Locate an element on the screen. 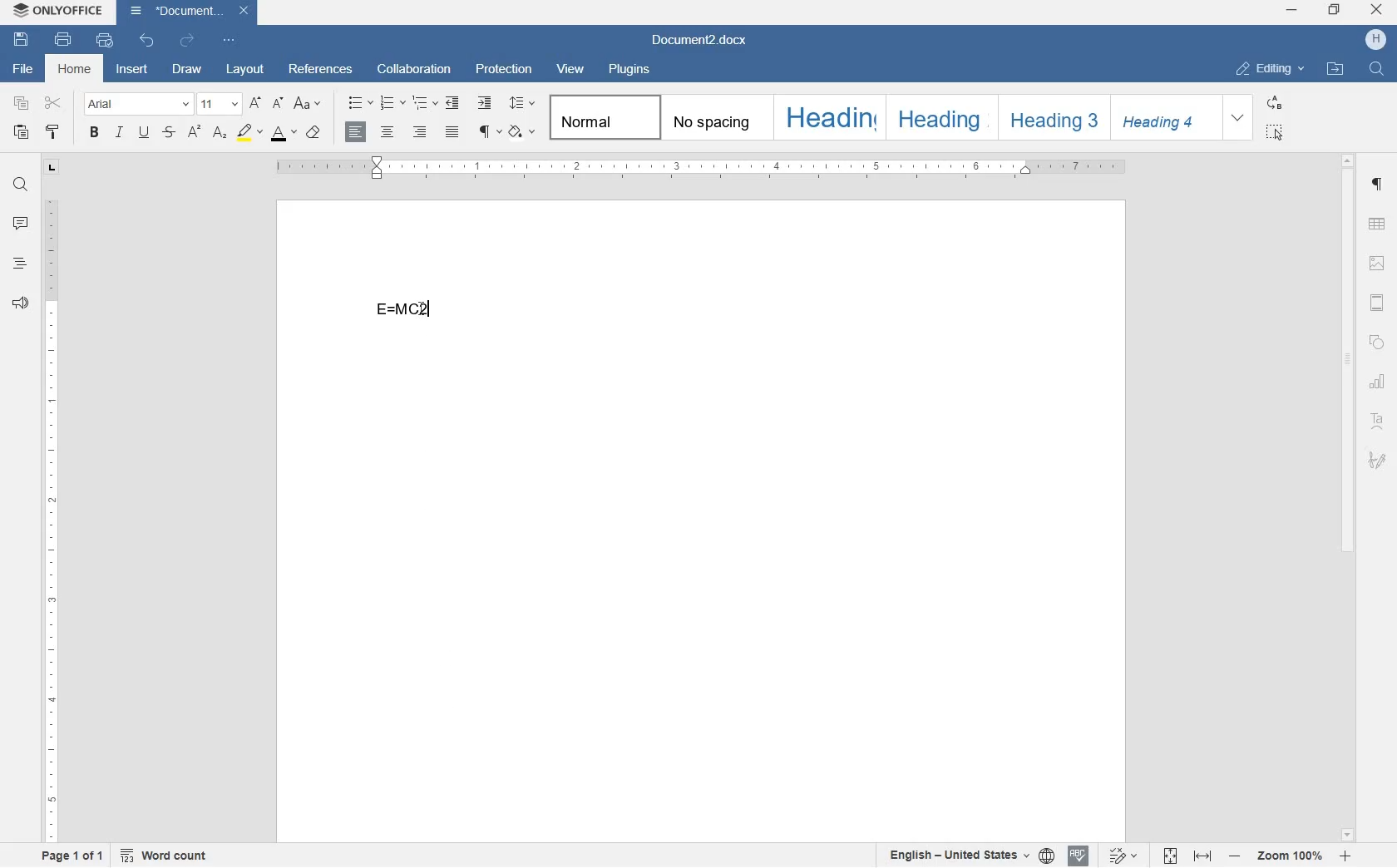 Image resolution: width=1397 pixels, height=868 pixels. align right is located at coordinates (419, 133).